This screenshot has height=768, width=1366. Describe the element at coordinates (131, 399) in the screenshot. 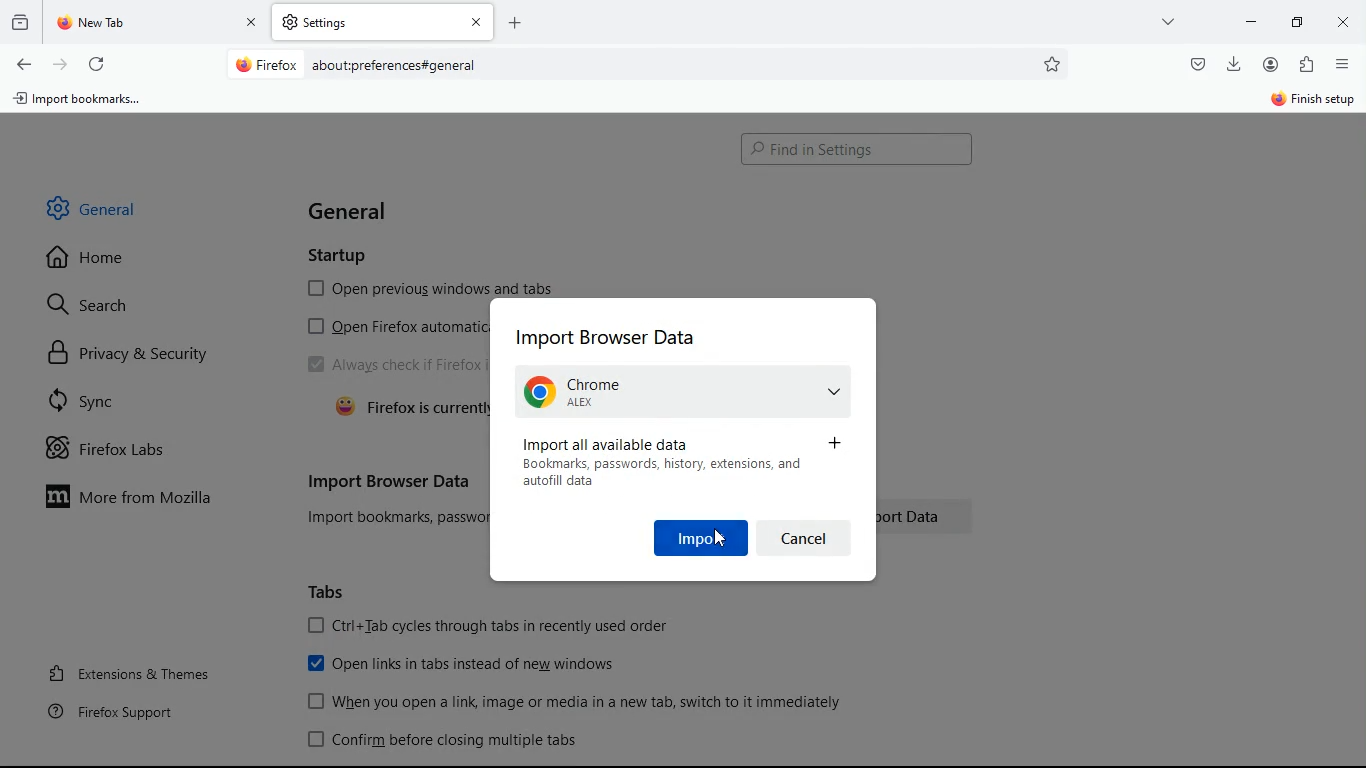

I see `sync` at that location.